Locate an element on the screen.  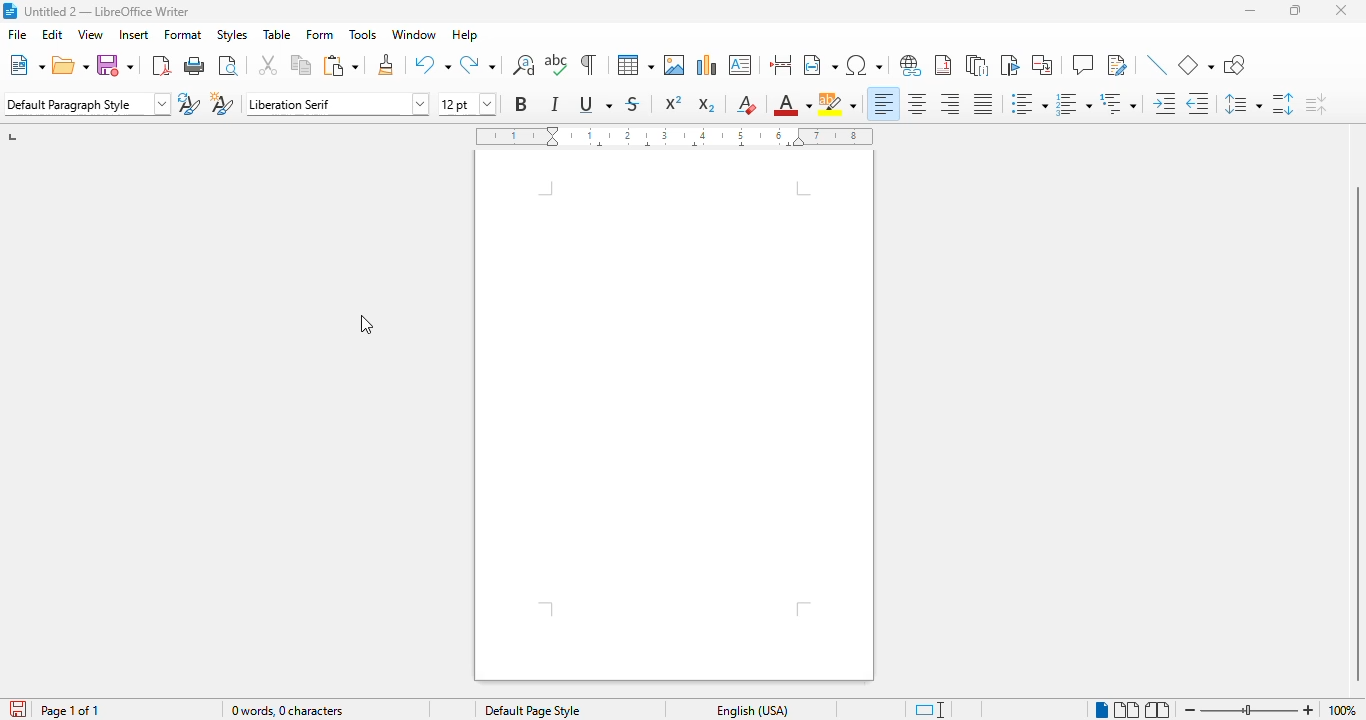
new style from selection is located at coordinates (223, 103).